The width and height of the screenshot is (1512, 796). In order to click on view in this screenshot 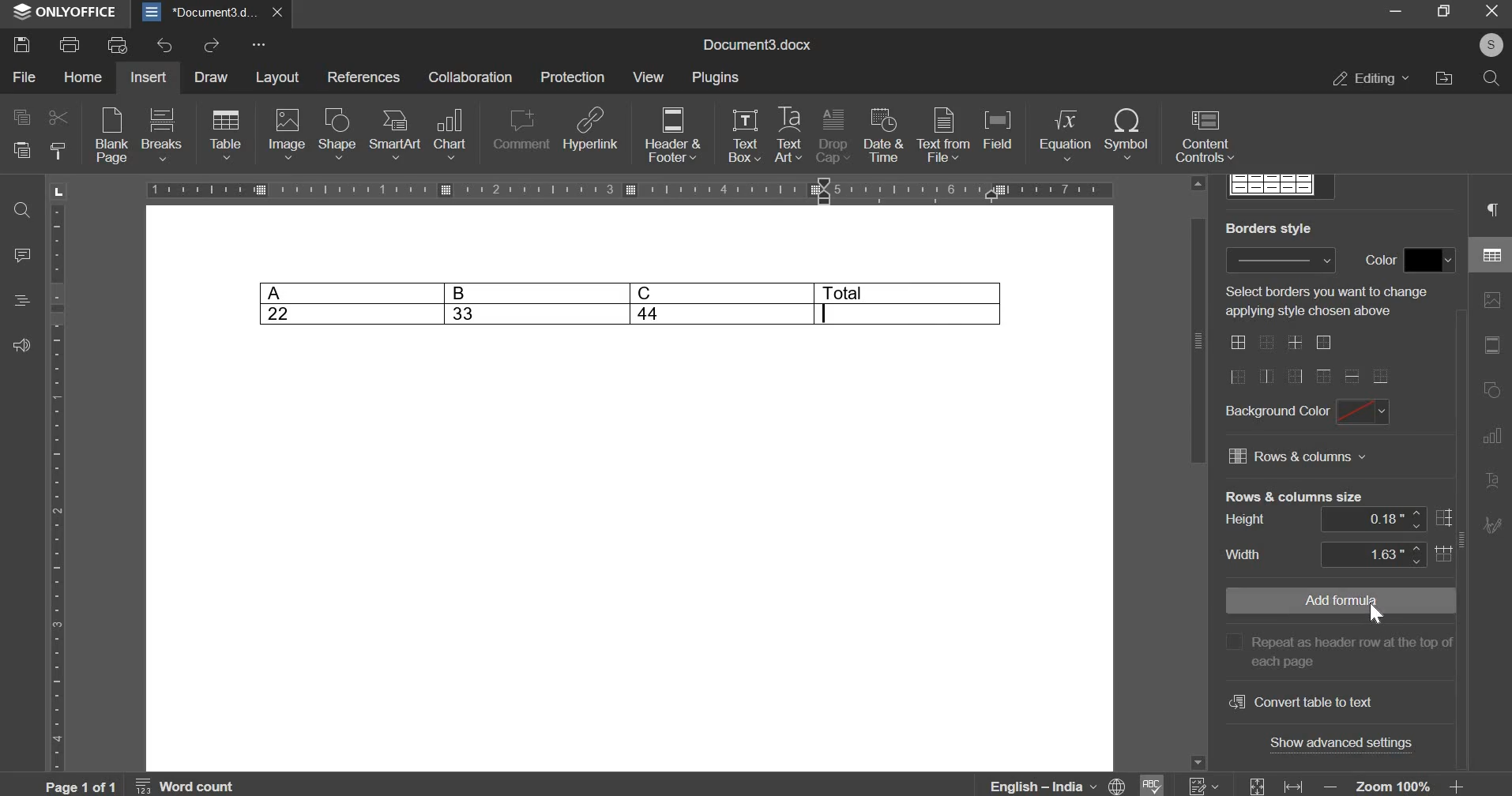, I will do `click(649, 76)`.